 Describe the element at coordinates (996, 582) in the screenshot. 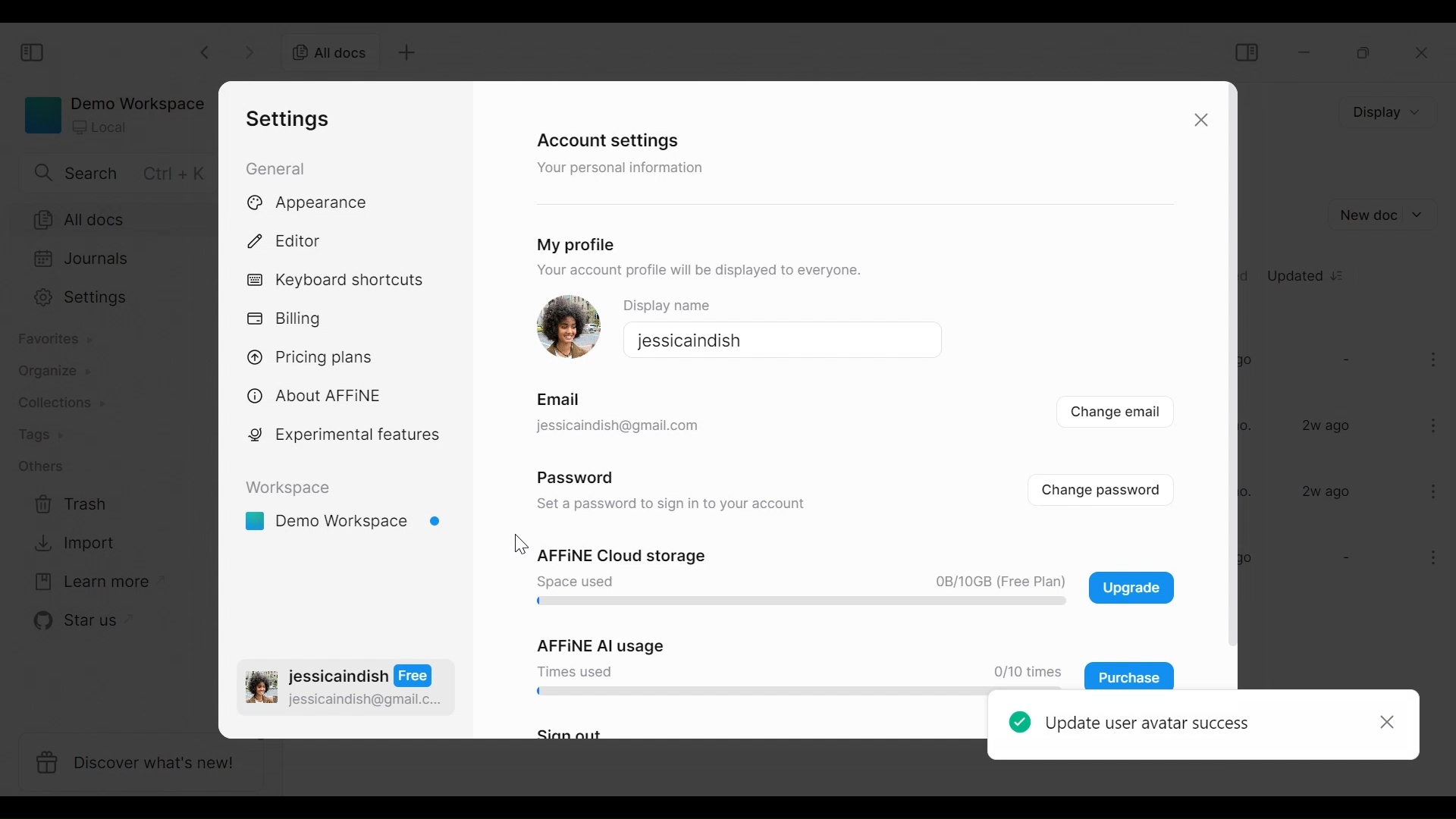

I see `0B/10GB (Free Plan)` at that location.